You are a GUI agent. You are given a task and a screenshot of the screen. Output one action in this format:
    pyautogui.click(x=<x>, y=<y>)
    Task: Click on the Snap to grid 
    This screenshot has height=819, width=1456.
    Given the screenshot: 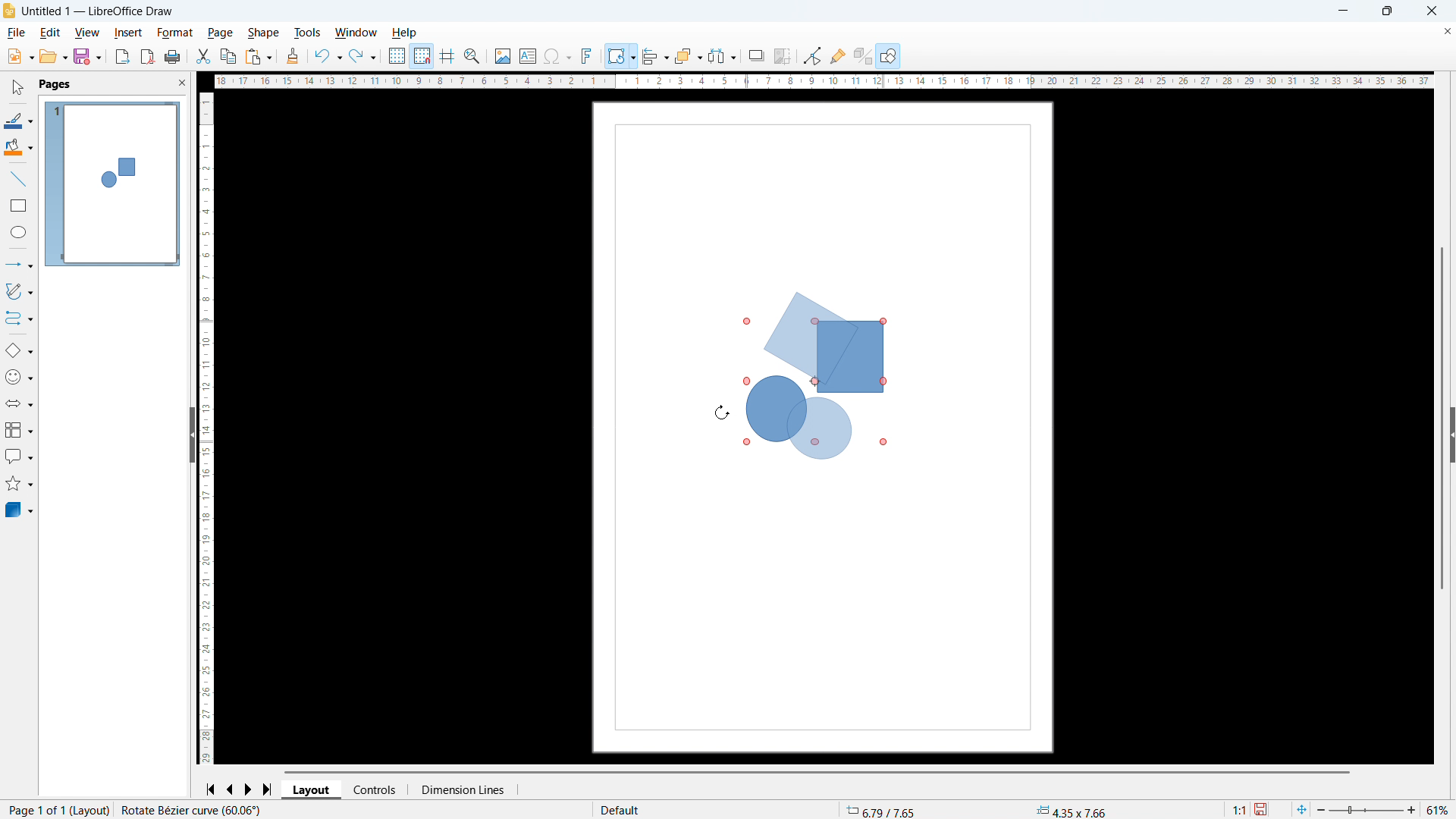 What is the action you would take?
    pyautogui.click(x=422, y=56)
    